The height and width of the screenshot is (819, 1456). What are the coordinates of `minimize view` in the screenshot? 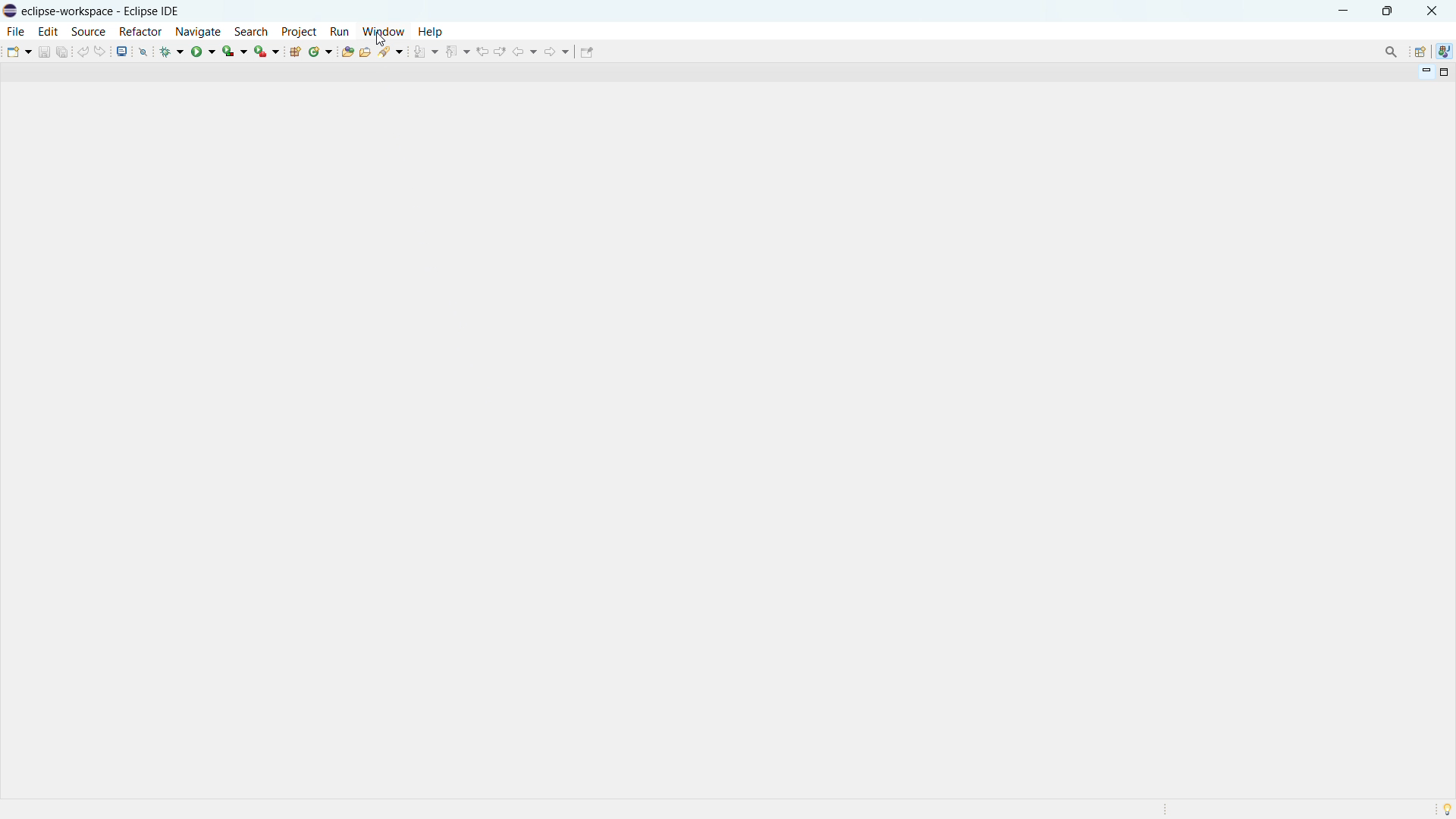 It's located at (1424, 73).